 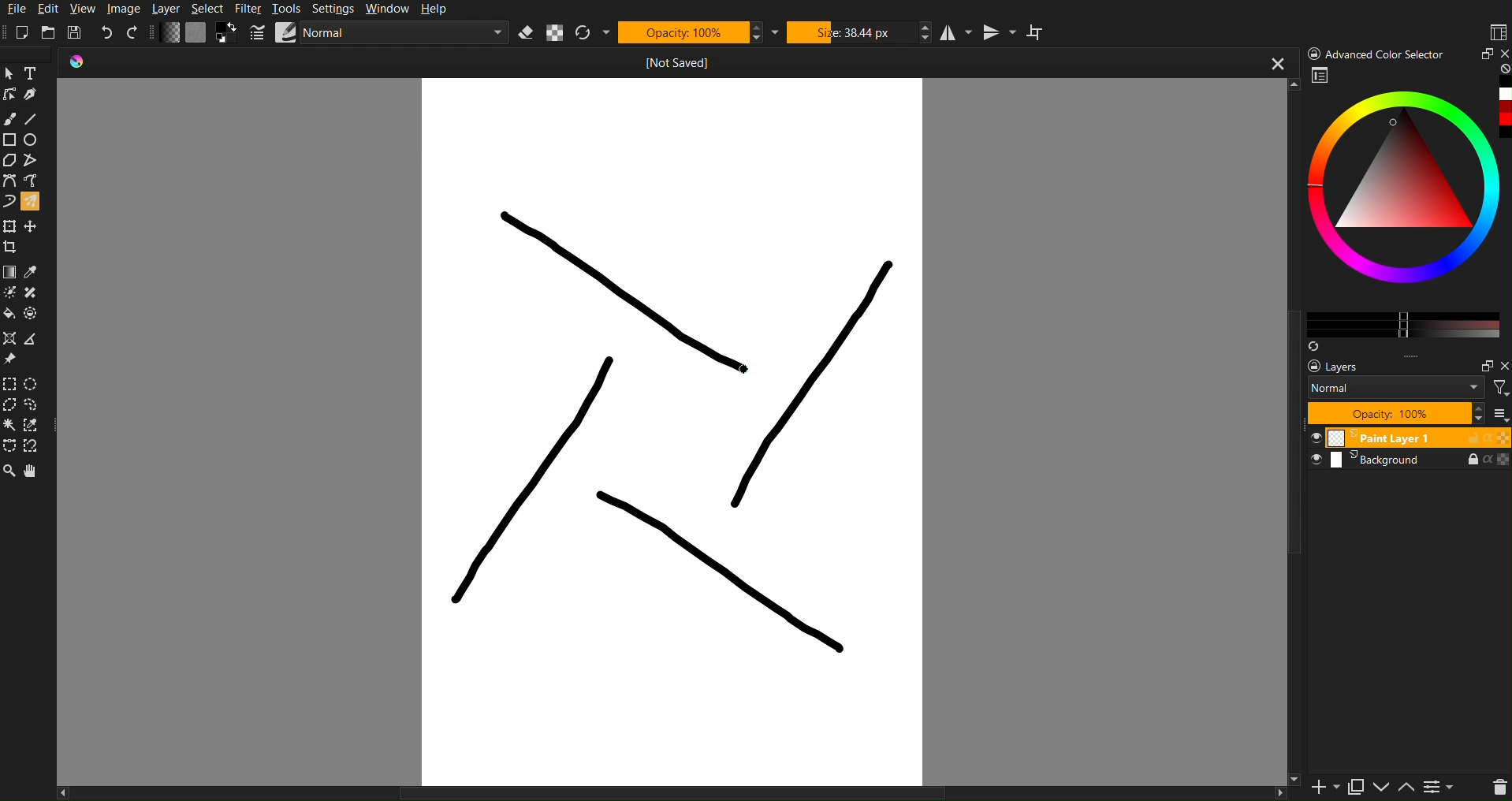 What do you see at coordinates (10, 446) in the screenshot?
I see `Path Selection Tool` at bounding box center [10, 446].